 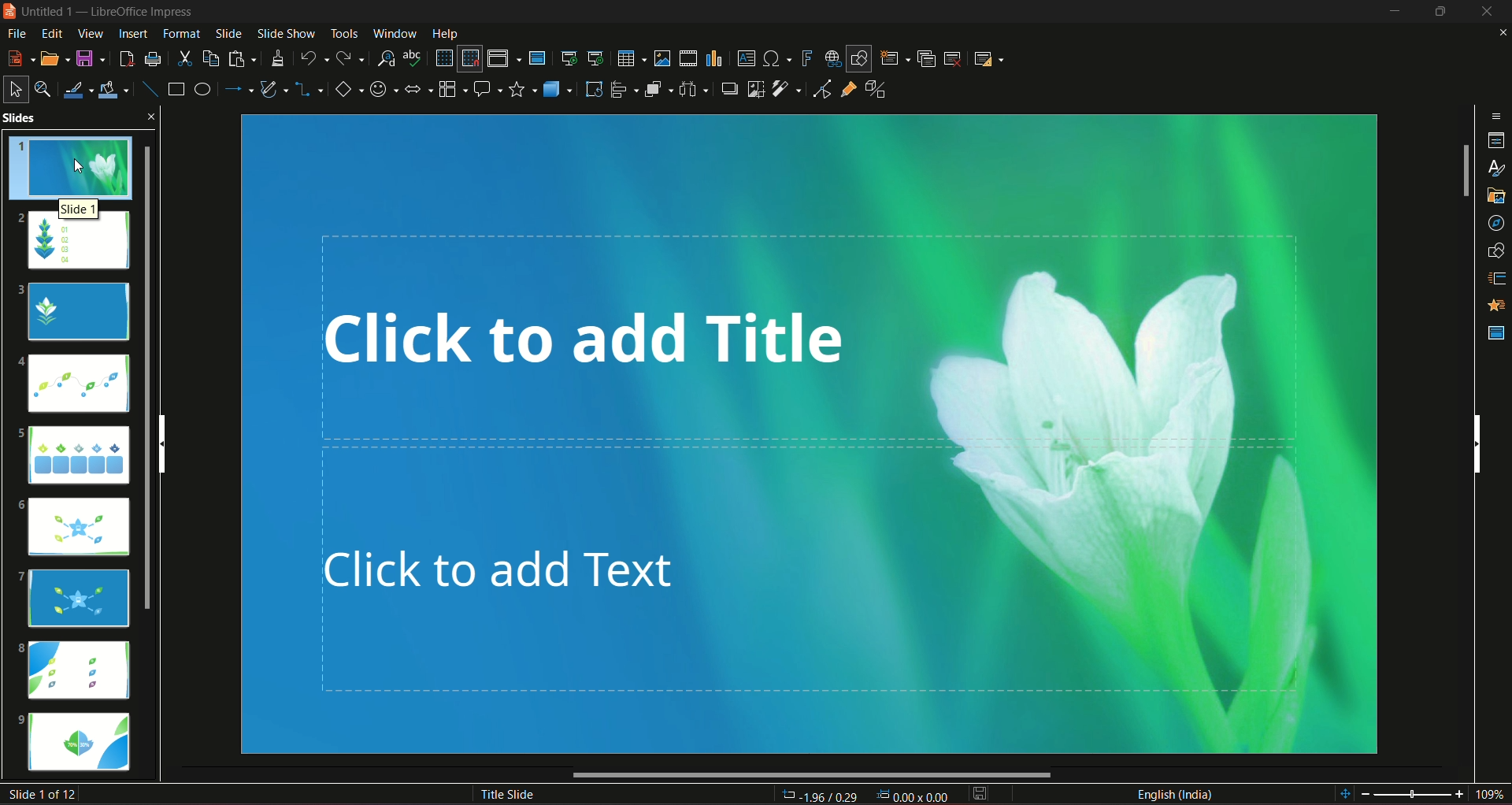 I want to click on navigator, so click(x=1494, y=223).